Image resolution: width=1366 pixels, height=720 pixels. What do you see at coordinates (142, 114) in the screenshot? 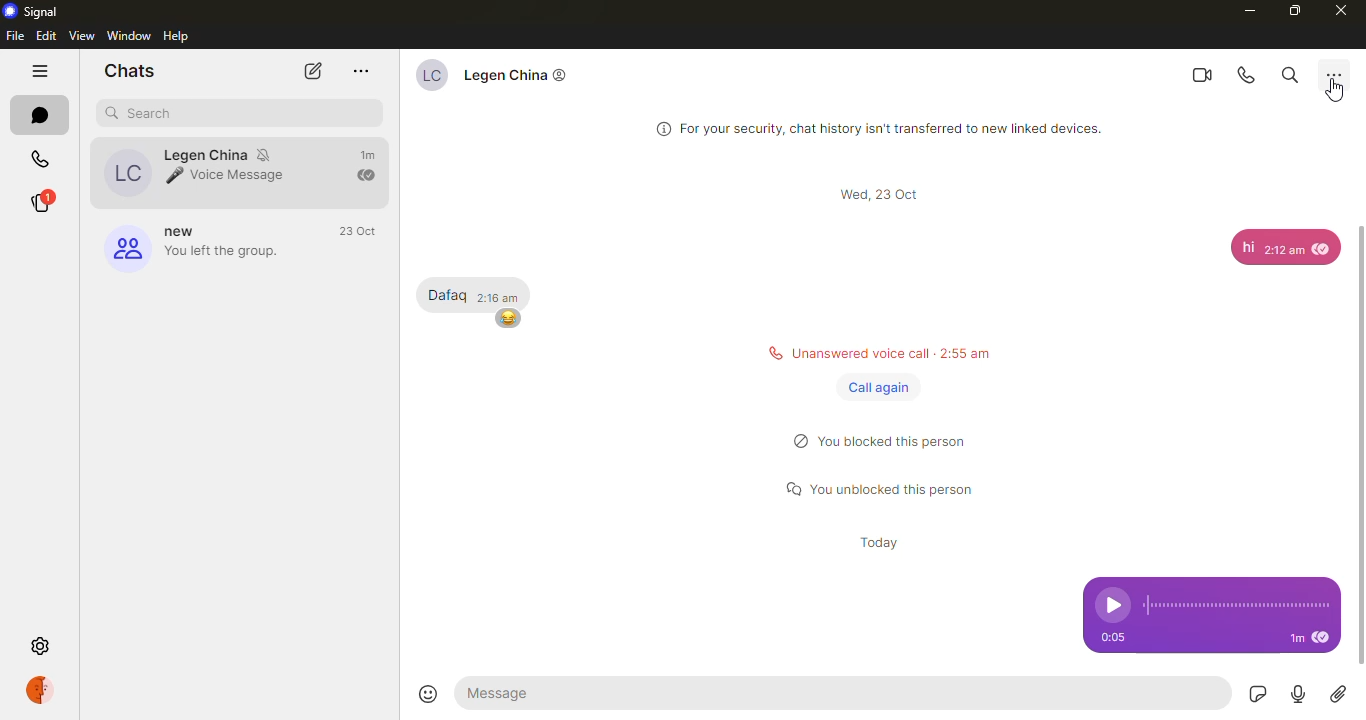
I see `search` at bounding box center [142, 114].